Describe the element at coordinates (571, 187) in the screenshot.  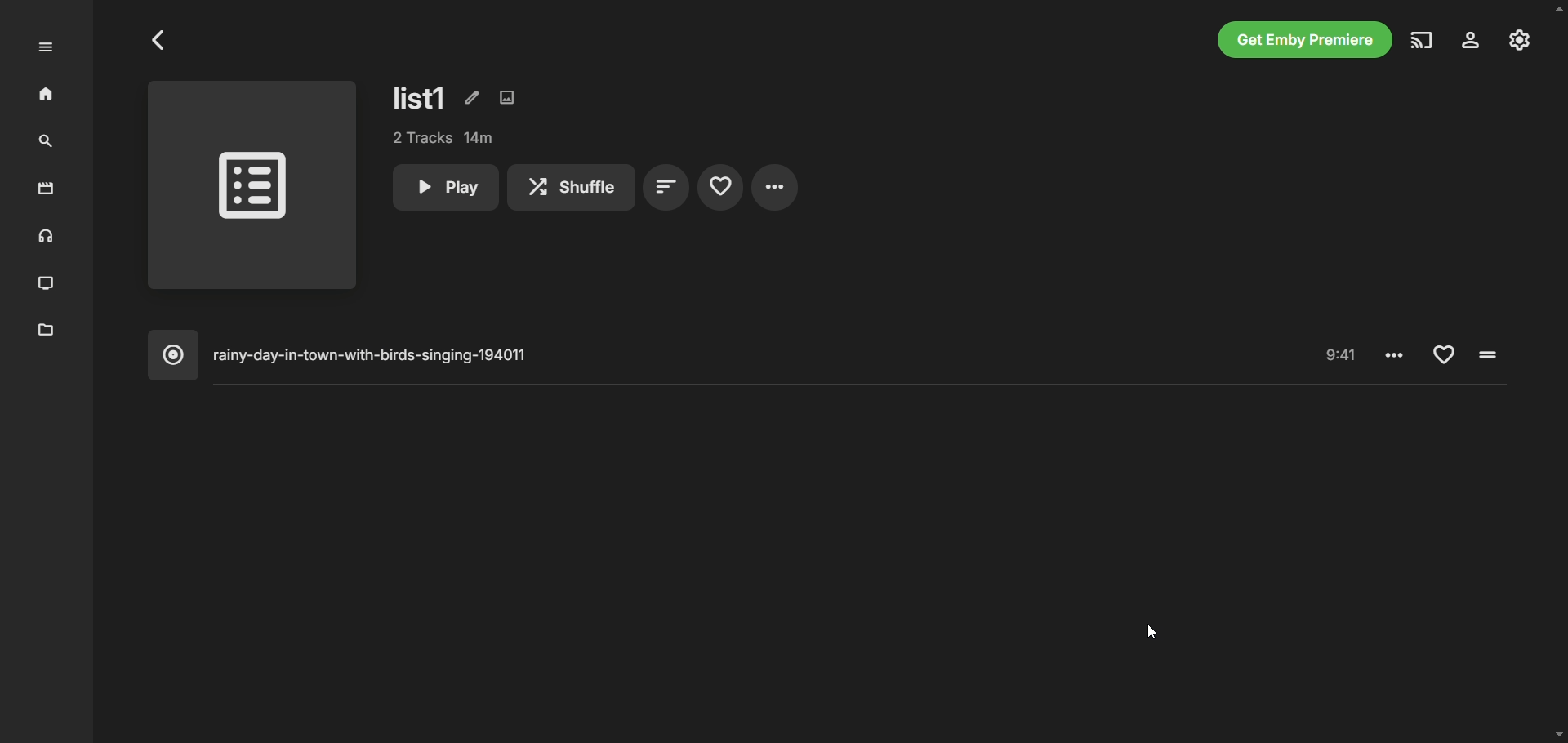
I see `shuffle` at that location.